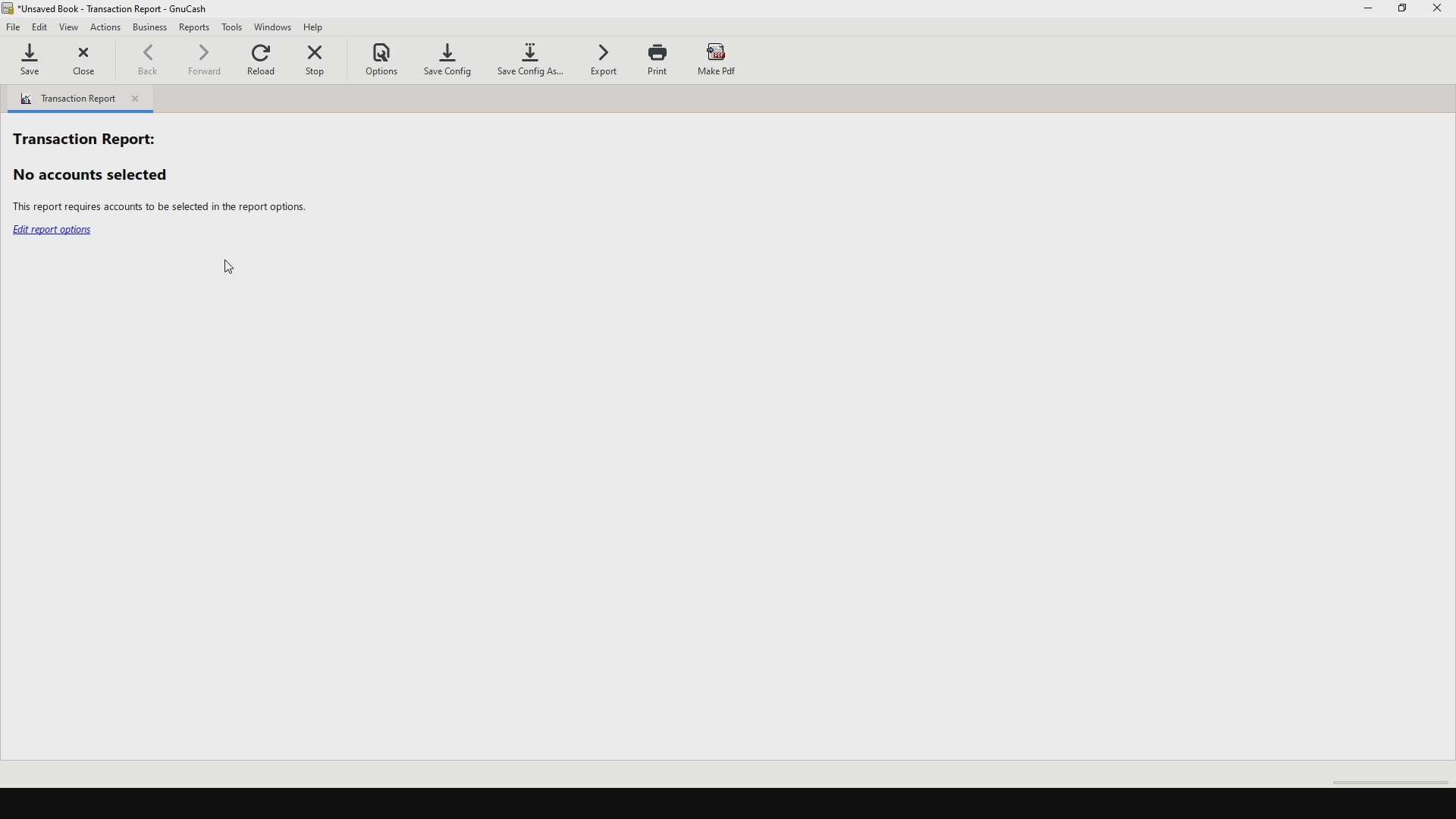  Describe the element at coordinates (658, 59) in the screenshot. I see `print` at that location.